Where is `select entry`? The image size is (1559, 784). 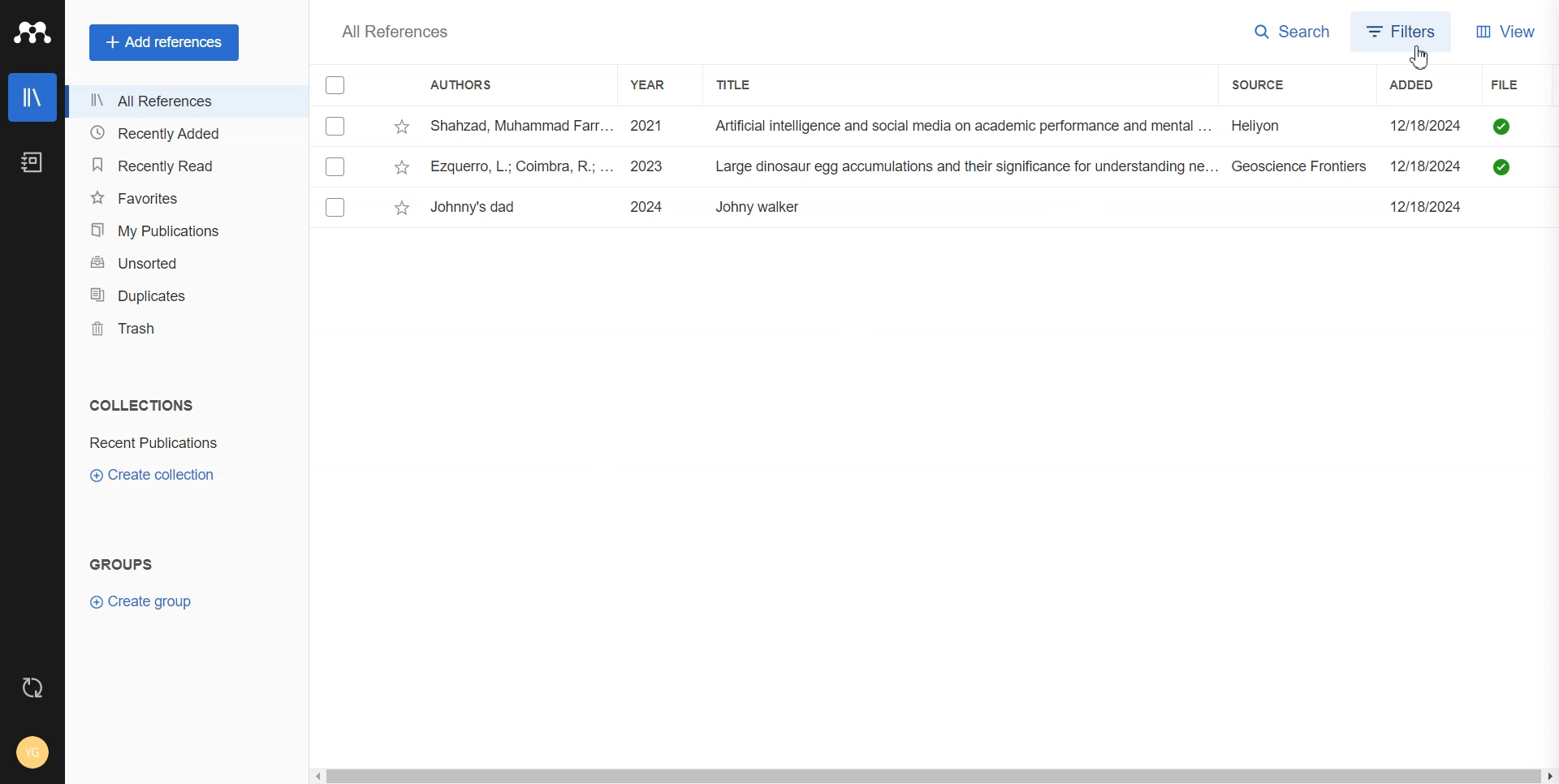 select entry is located at coordinates (335, 166).